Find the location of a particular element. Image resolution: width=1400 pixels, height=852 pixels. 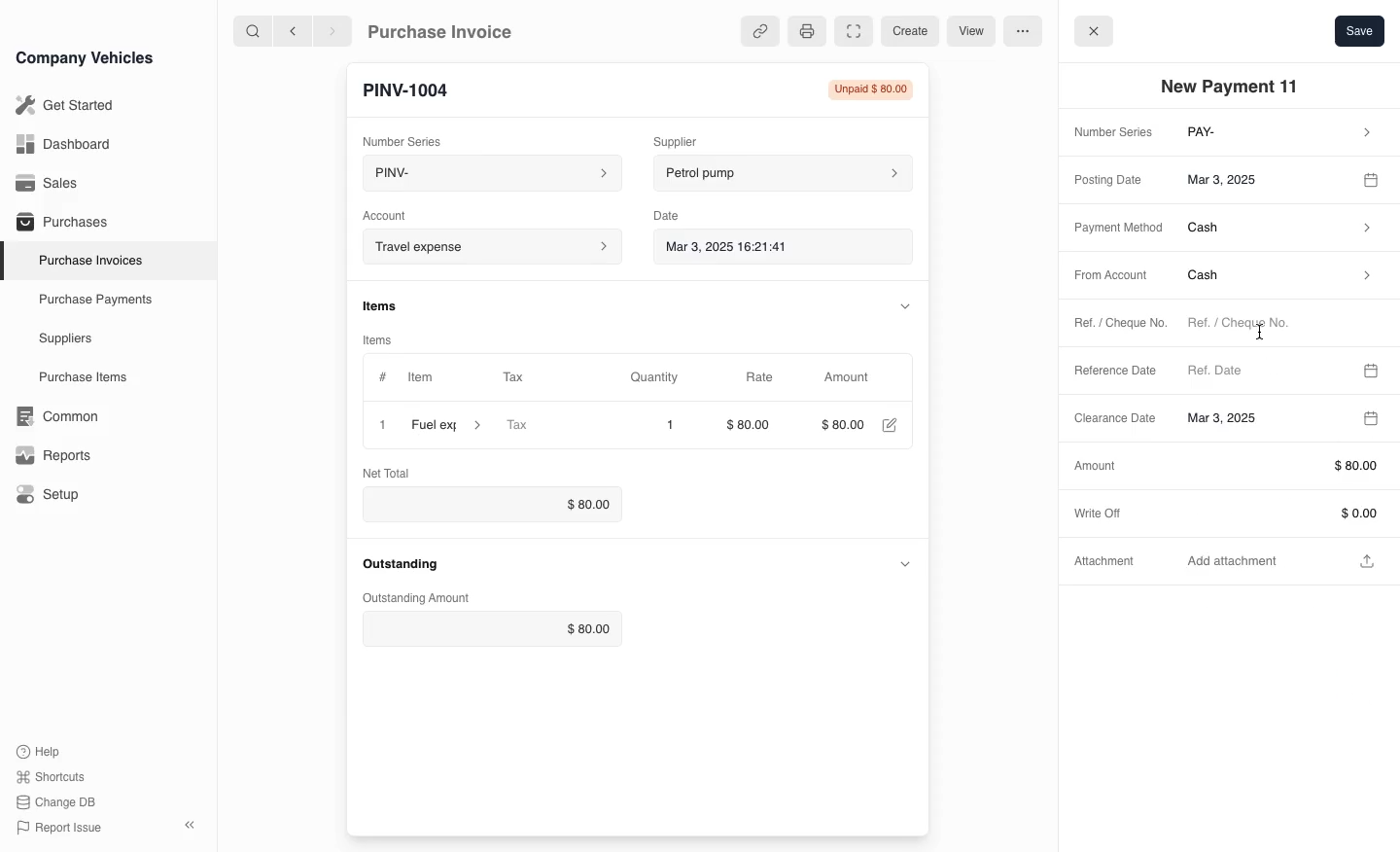

Purchase Payments is located at coordinates (93, 300).